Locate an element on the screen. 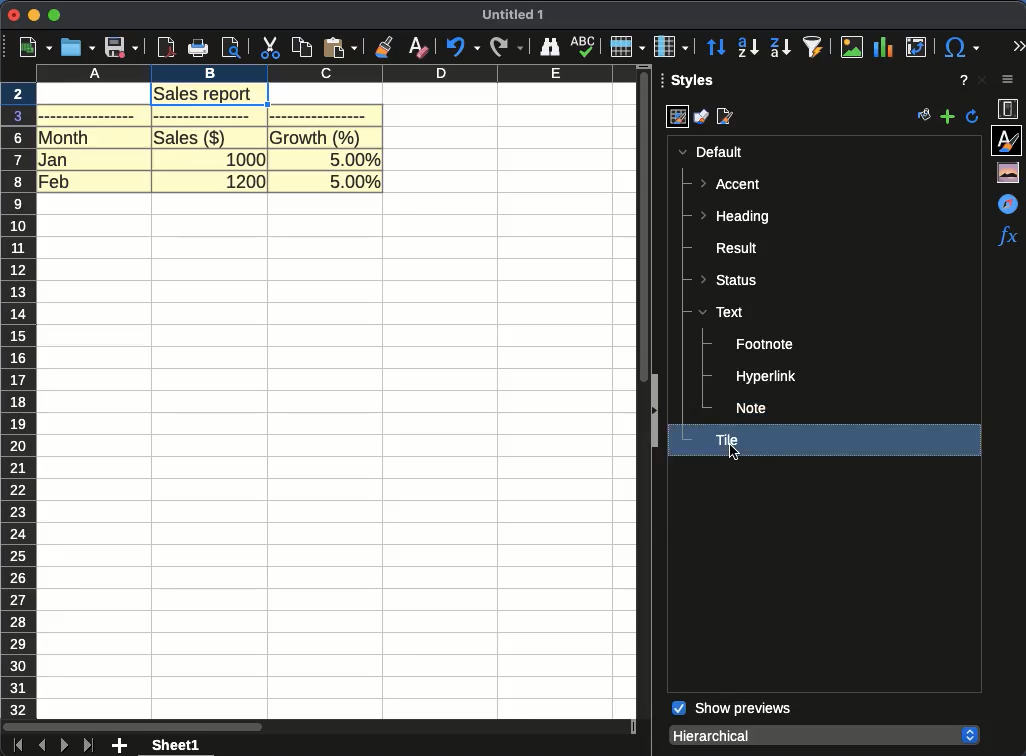 The height and width of the screenshot is (756, 1026). expand is located at coordinates (651, 413).